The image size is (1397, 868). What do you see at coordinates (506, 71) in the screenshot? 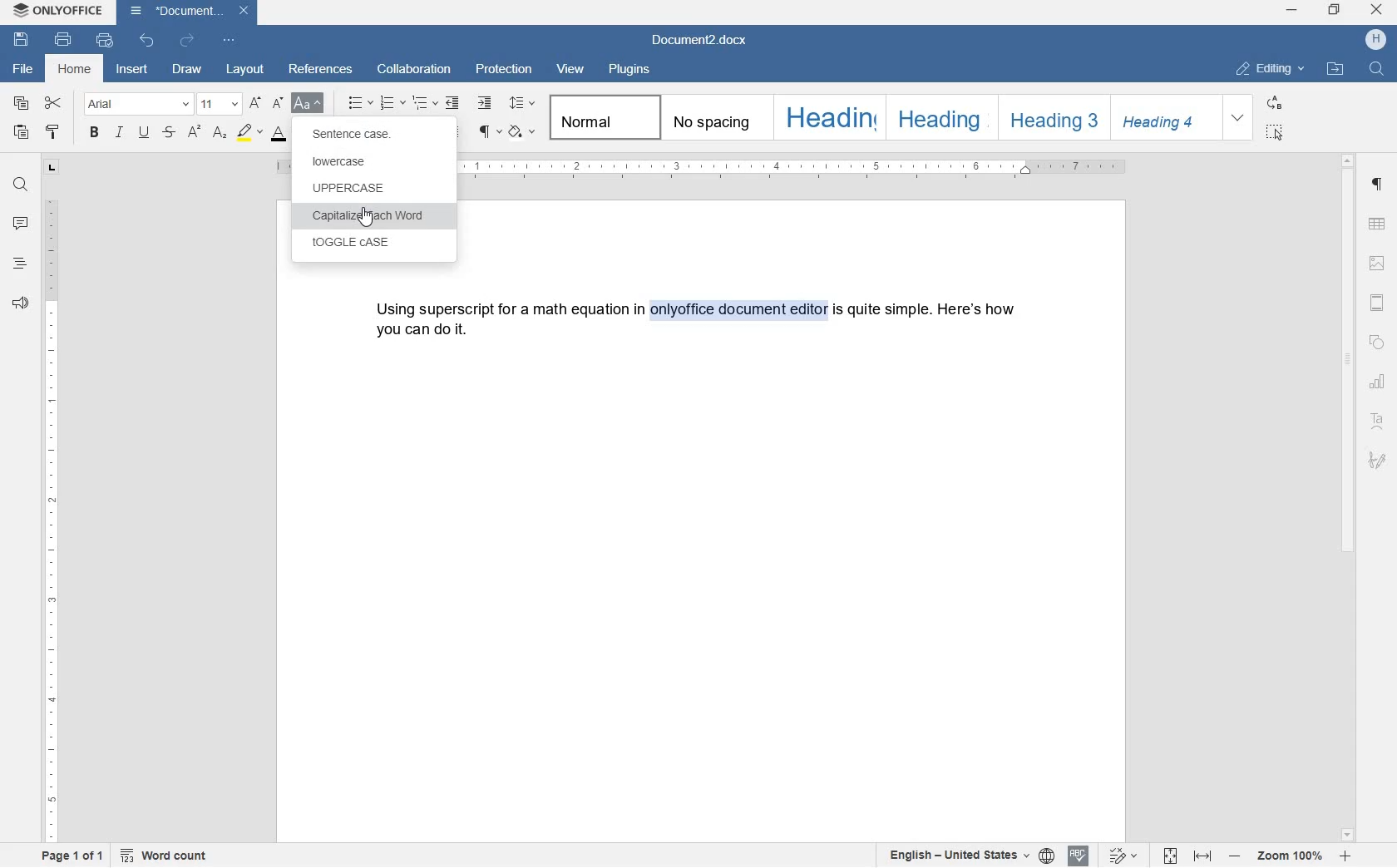
I see `protection` at bounding box center [506, 71].